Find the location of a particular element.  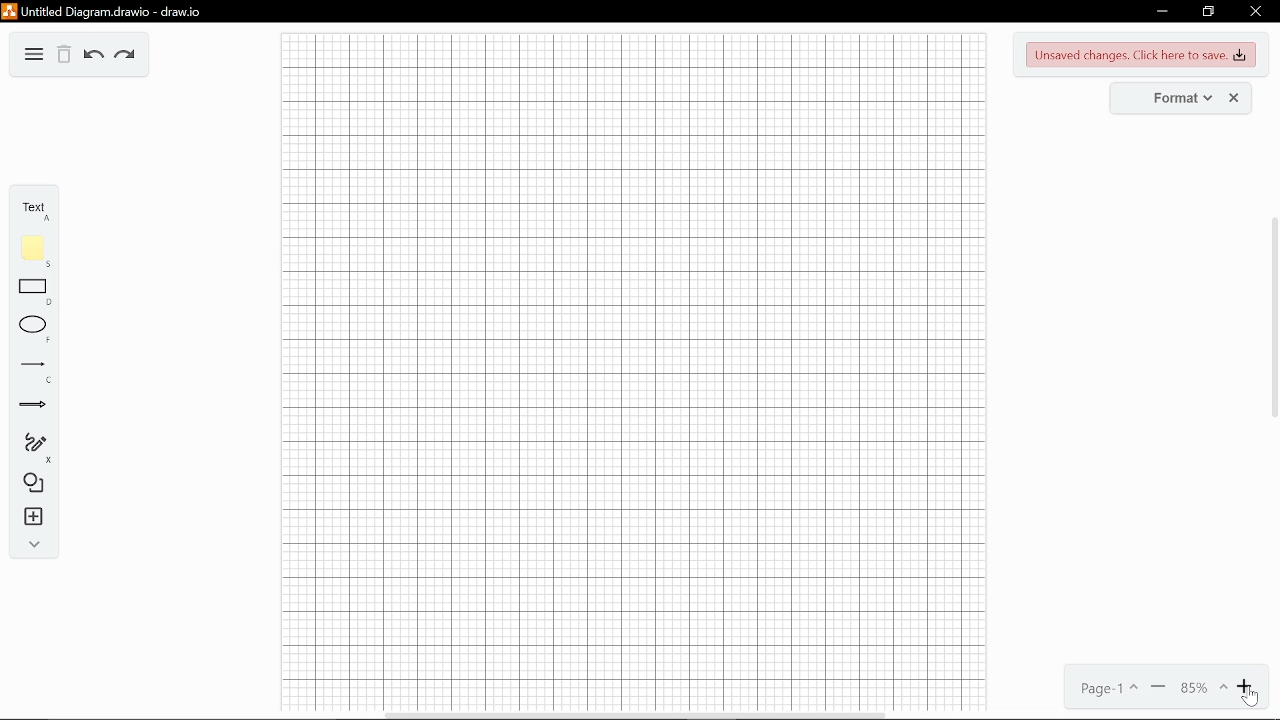

redo is located at coordinates (125, 57).